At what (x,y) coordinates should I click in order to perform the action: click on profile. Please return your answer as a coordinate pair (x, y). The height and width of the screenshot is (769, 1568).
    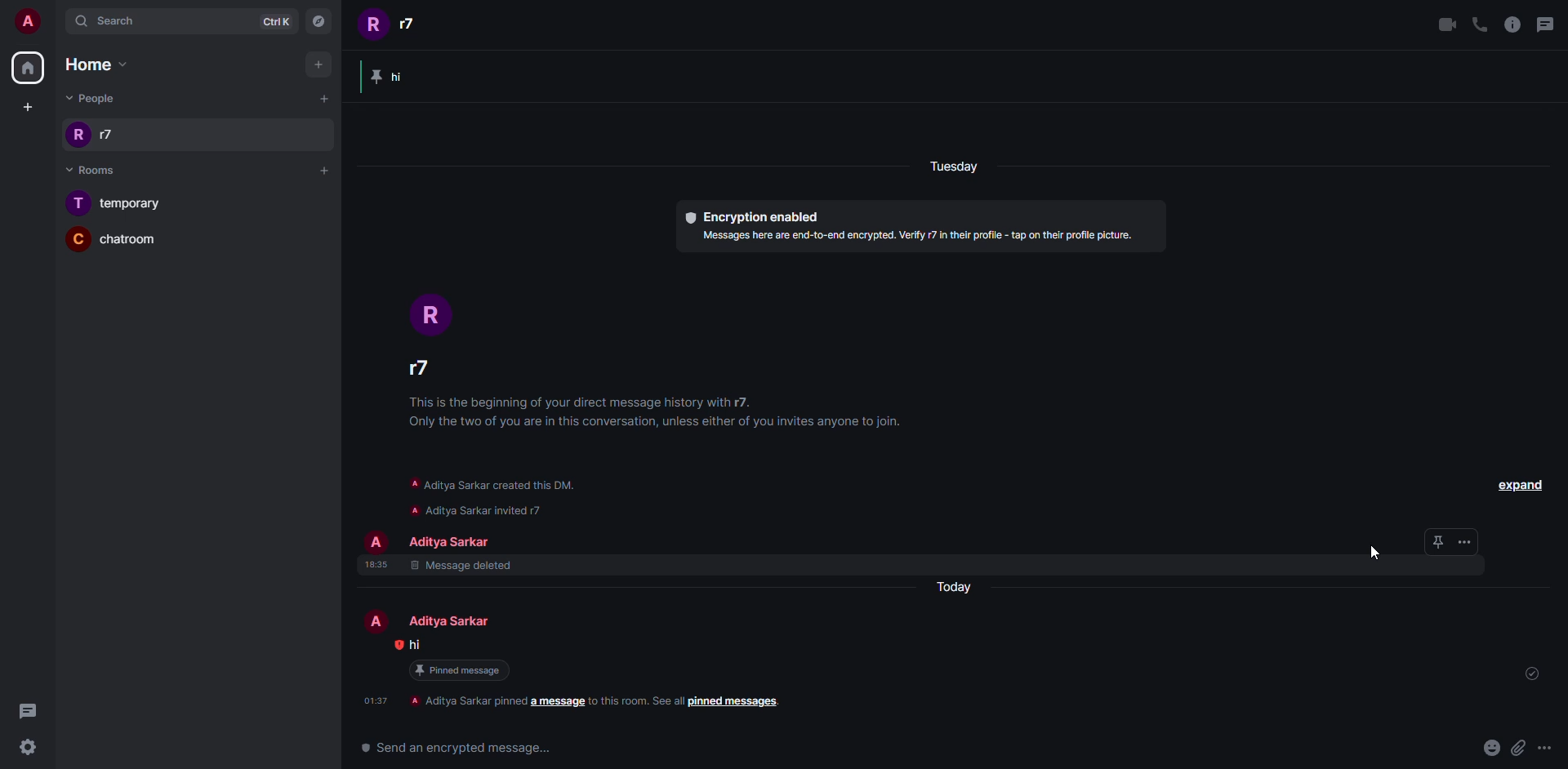
    Looking at the image, I should click on (374, 540).